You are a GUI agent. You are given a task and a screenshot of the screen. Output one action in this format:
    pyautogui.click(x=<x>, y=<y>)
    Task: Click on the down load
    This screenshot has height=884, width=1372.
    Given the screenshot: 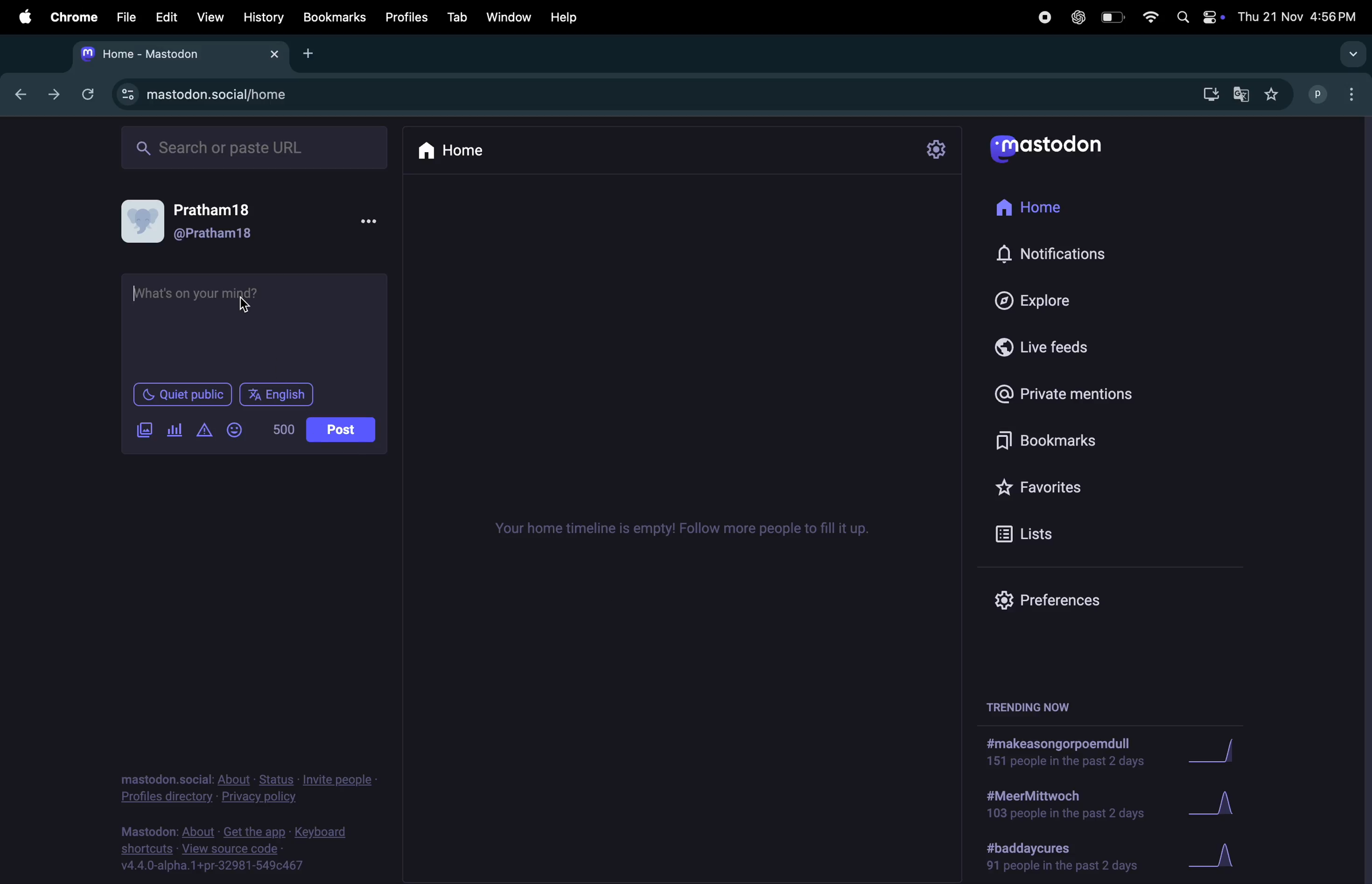 What is the action you would take?
    pyautogui.click(x=1205, y=96)
    